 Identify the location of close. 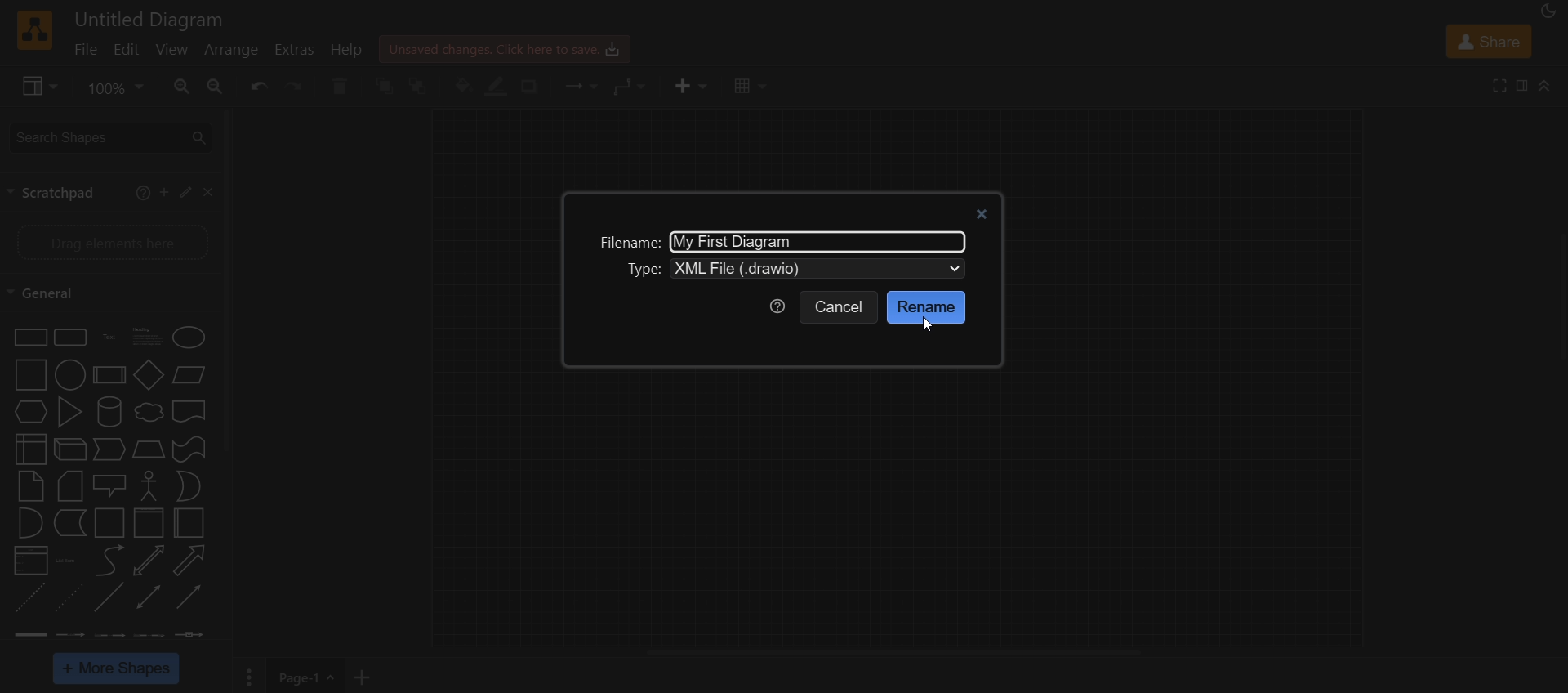
(209, 193).